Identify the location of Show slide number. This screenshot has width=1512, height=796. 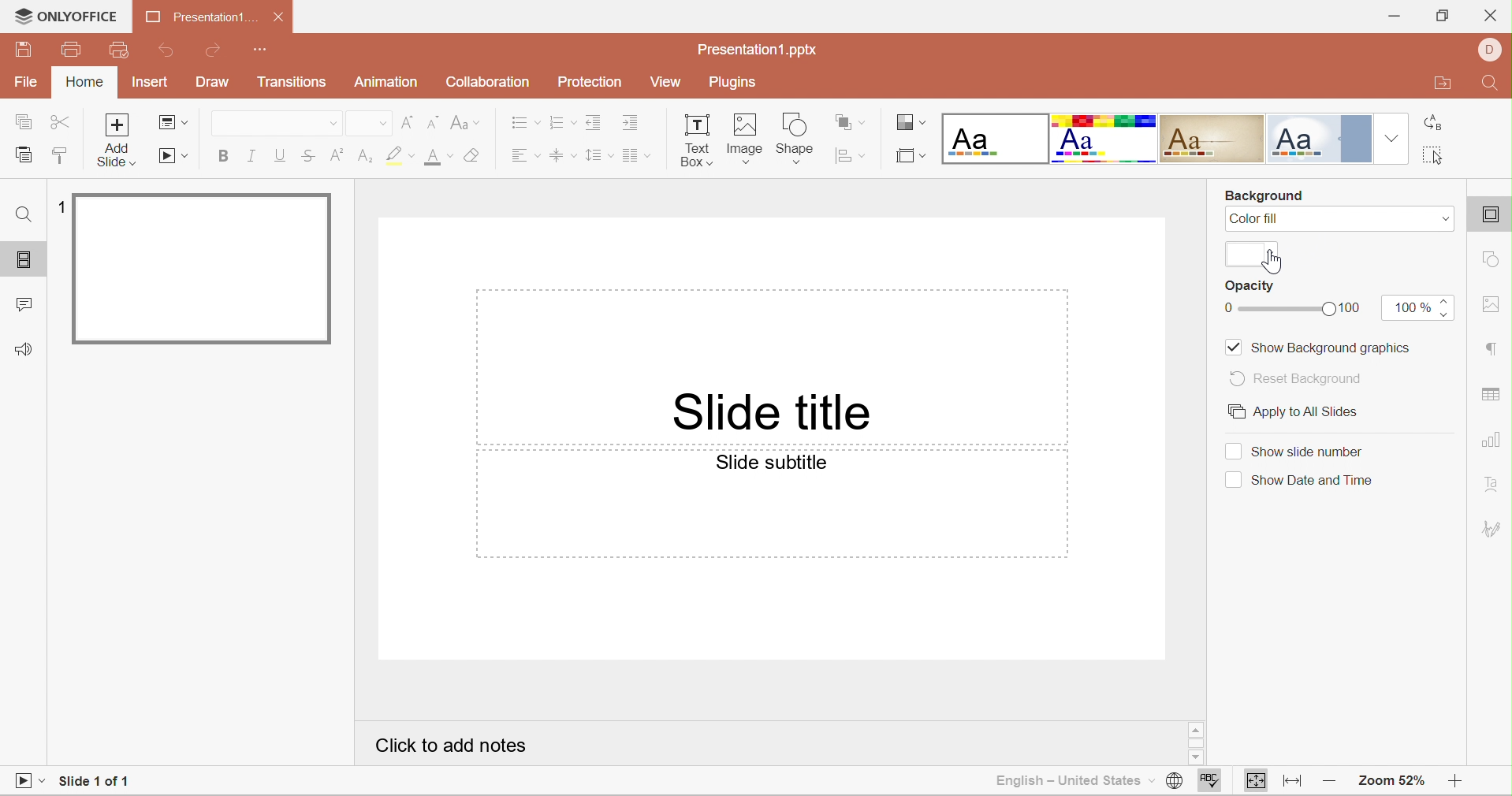
(1297, 450).